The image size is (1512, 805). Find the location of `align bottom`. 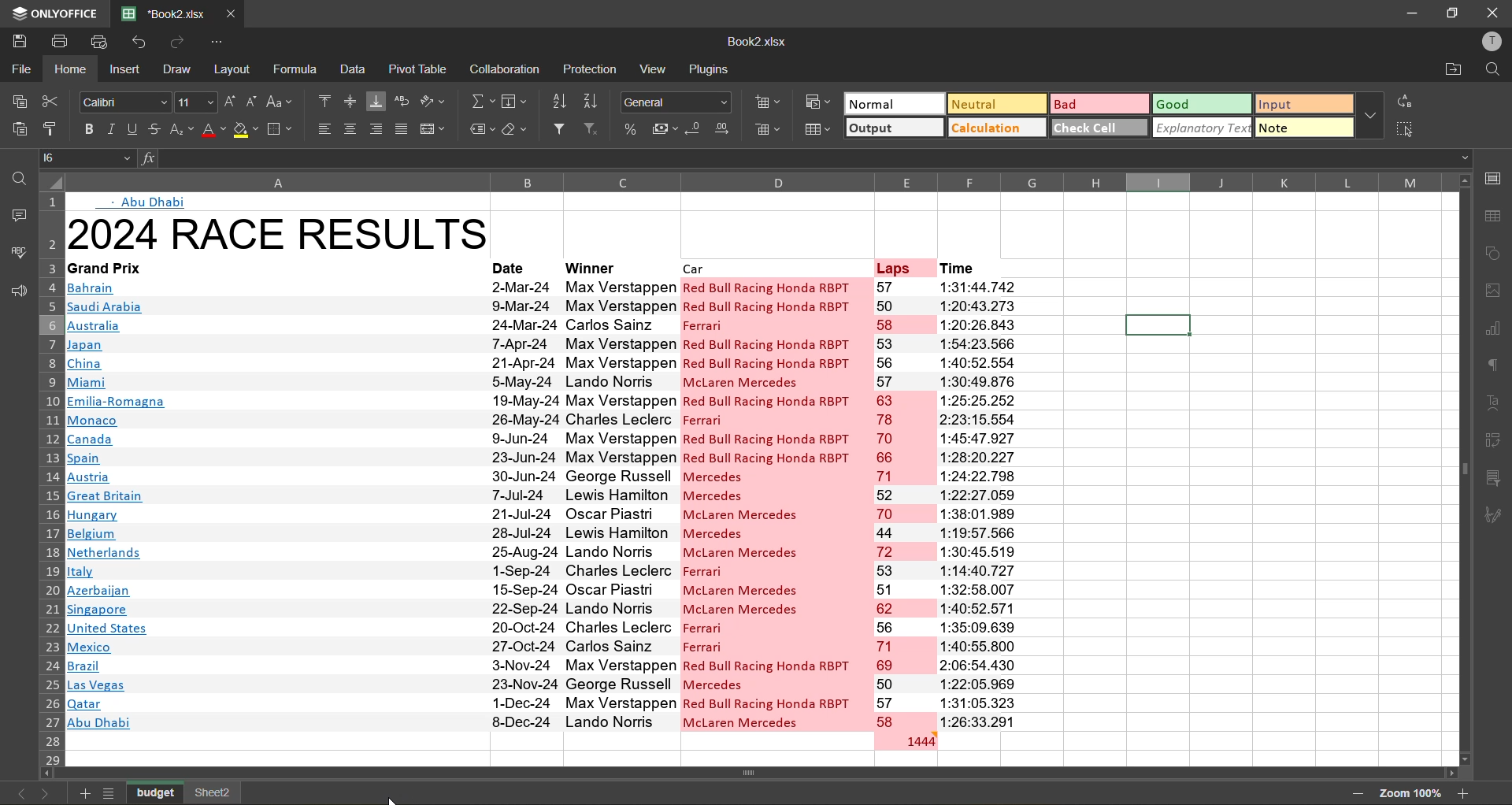

align bottom is located at coordinates (377, 99).